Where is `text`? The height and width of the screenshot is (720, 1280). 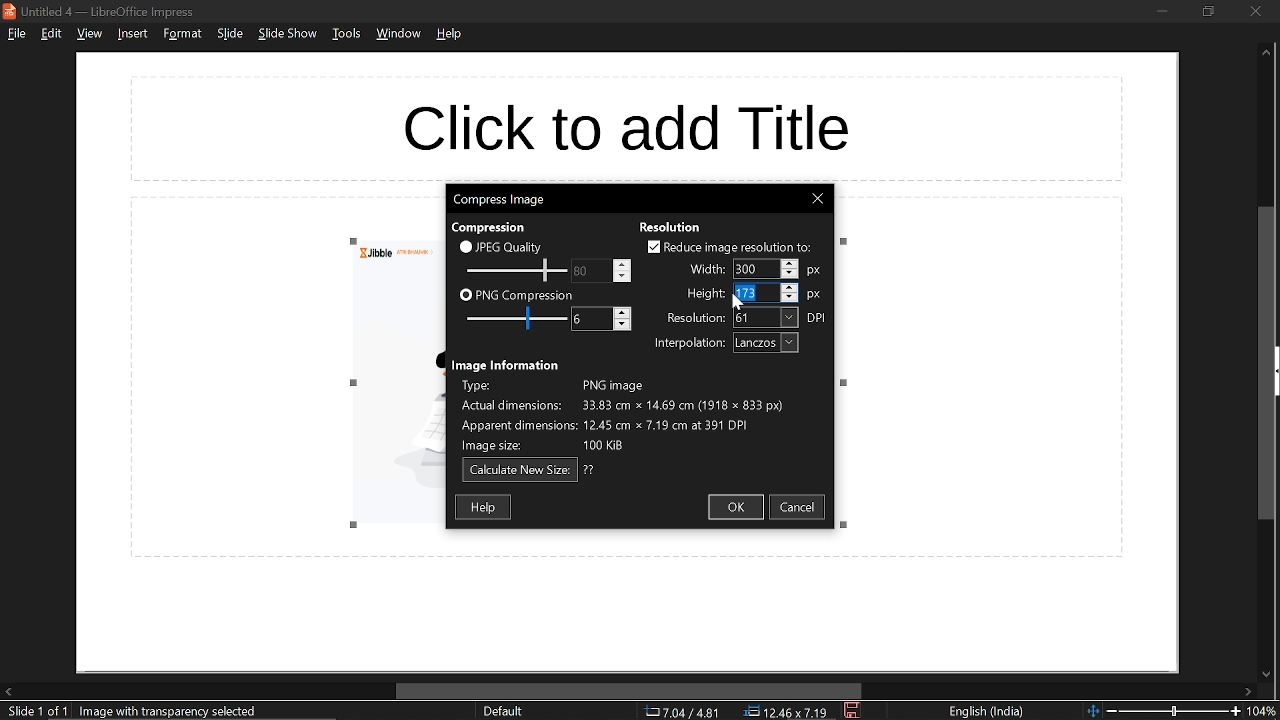
text is located at coordinates (707, 267).